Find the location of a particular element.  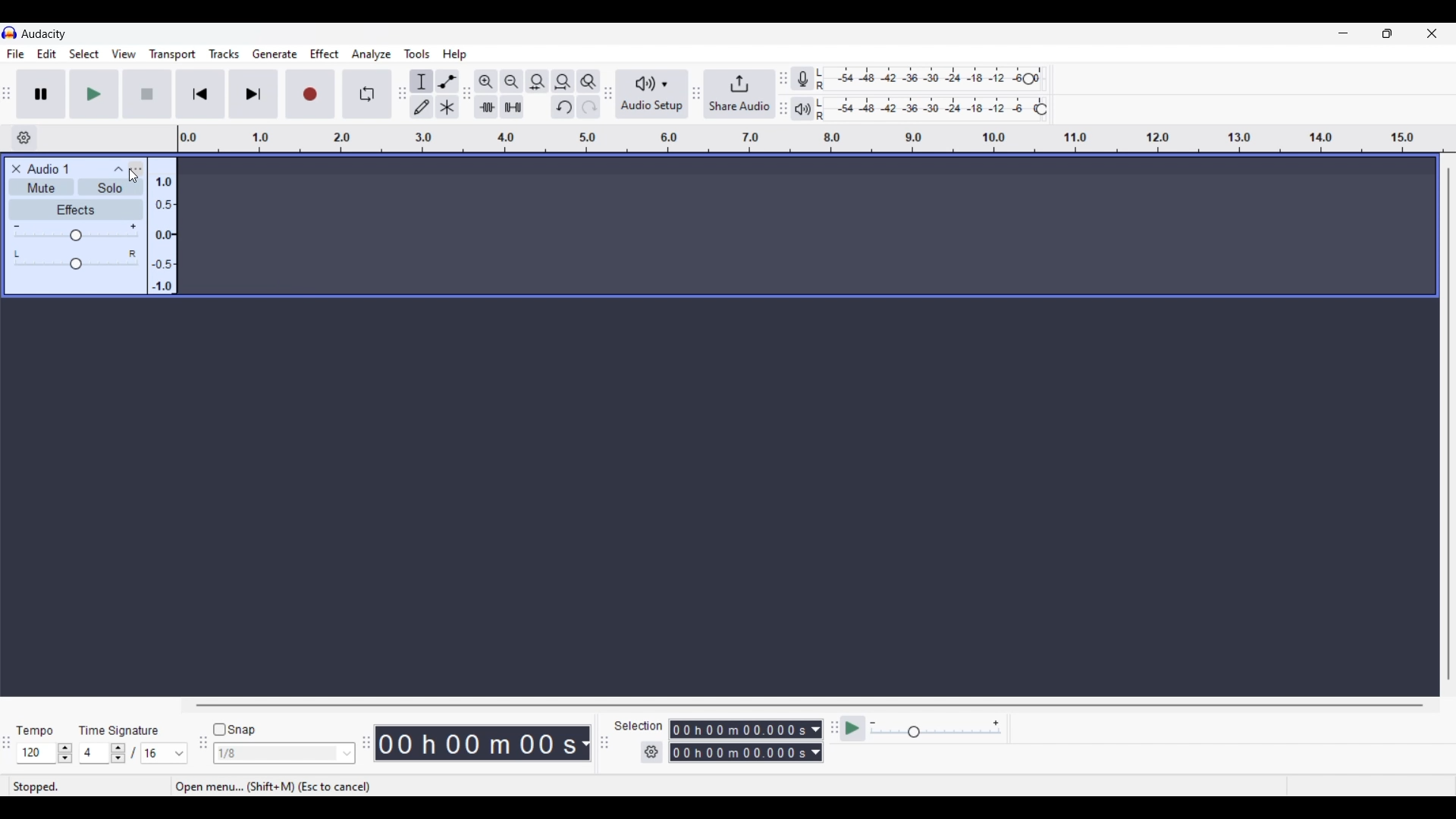

Envelop tool is located at coordinates (447, 81).